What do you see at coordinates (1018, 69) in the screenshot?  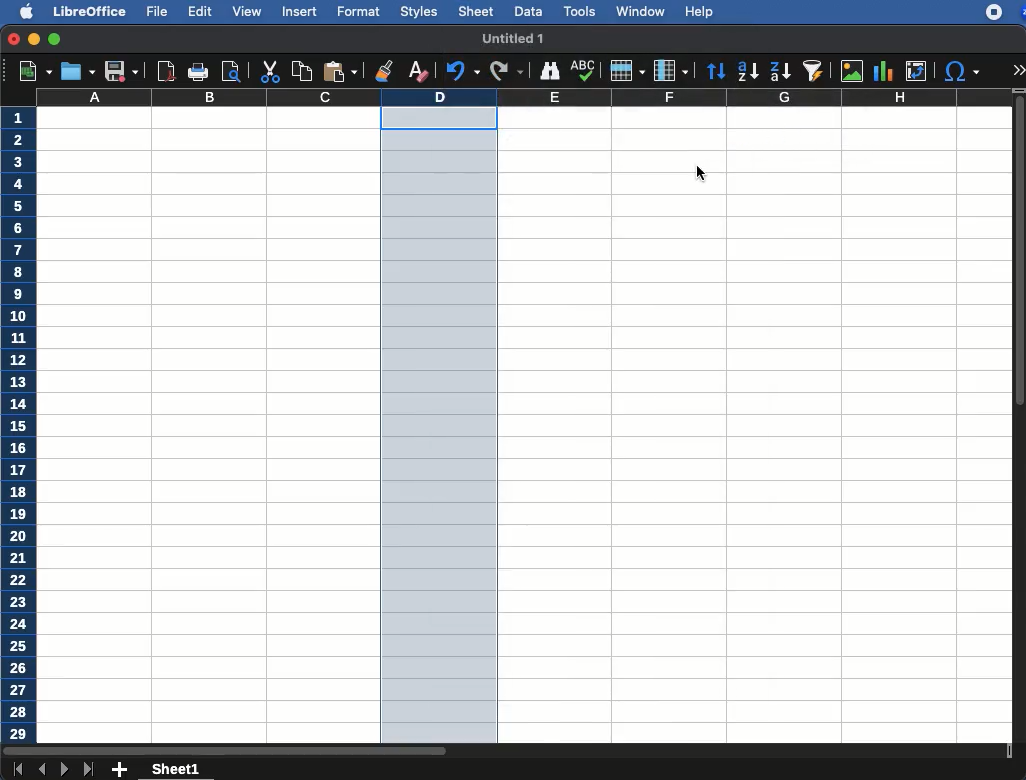 I see `expand` at bounding box center [1018, 69].